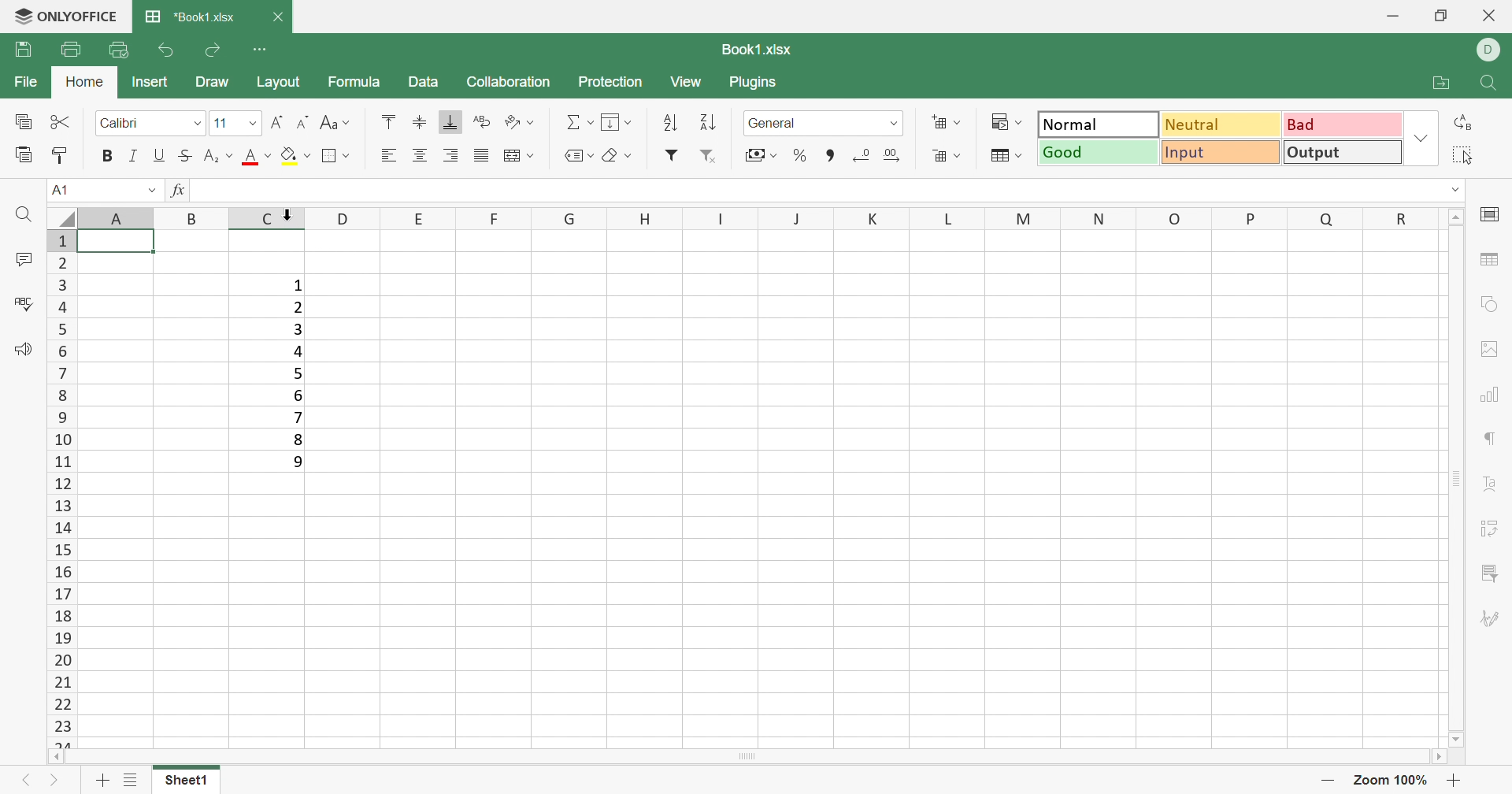 This screenshot has height=794, width=1512. Describe the element at coordinates (798, 155) in the screenshot. I see `Percentage style` at that location.